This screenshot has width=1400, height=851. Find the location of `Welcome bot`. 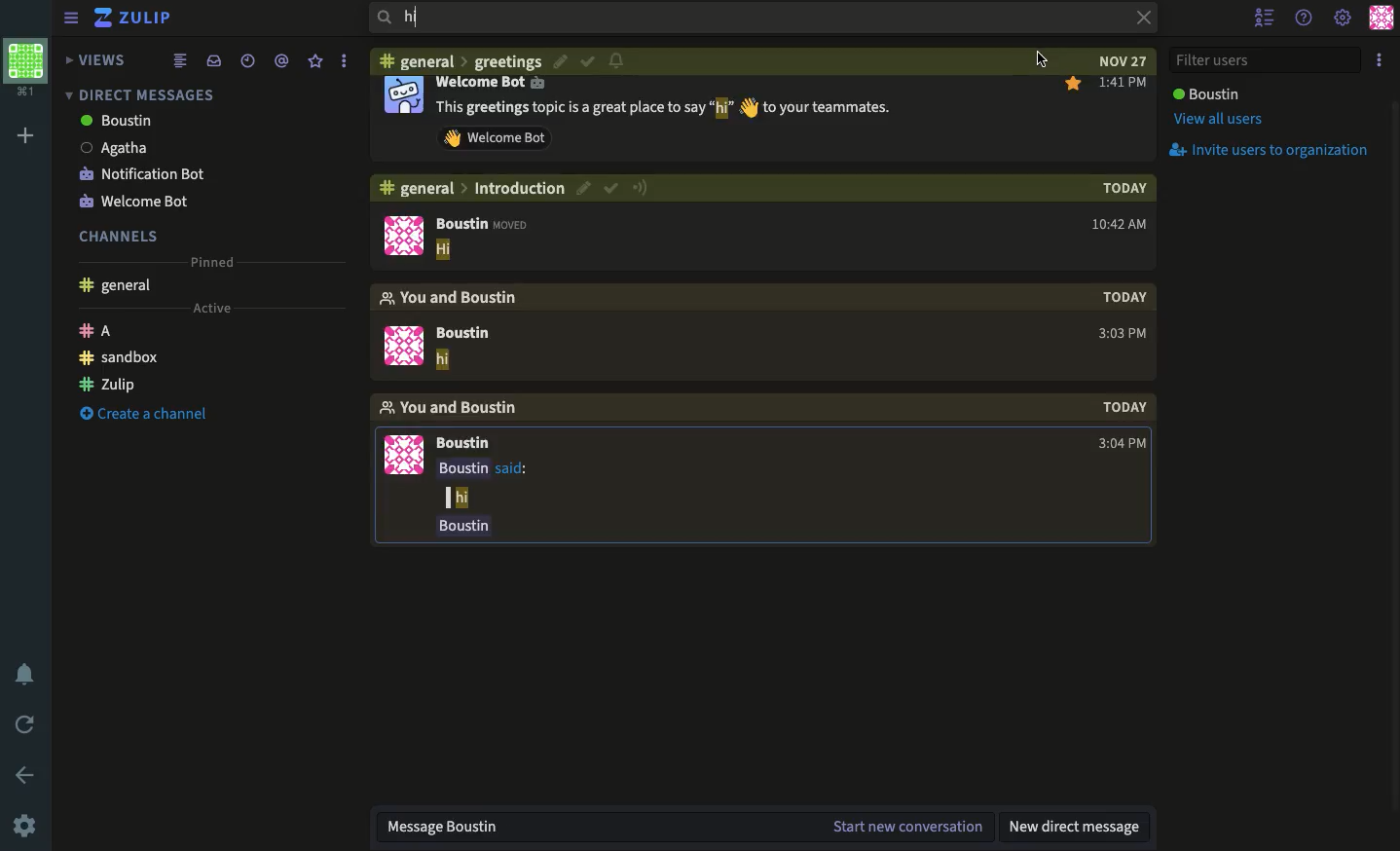

Welcome bot is located at coordinates (137, 203).